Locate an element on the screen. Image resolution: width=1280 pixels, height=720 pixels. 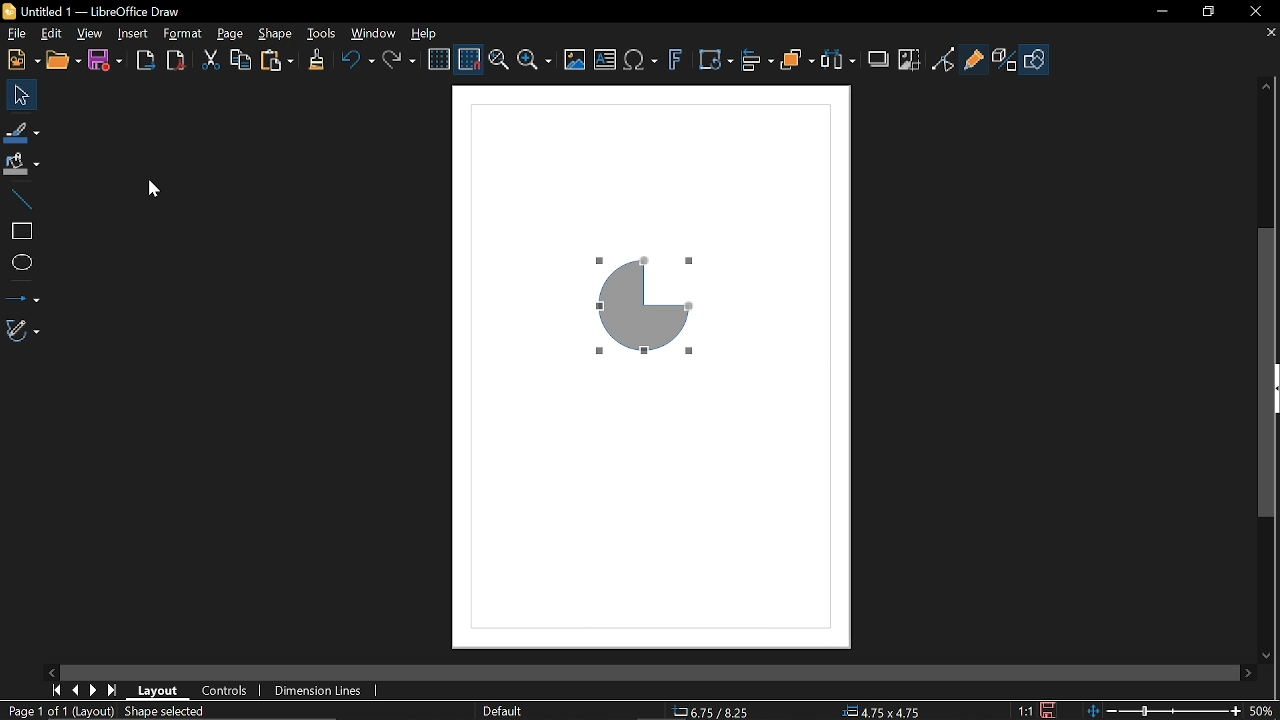
First page is located at coordinates (58, 690).